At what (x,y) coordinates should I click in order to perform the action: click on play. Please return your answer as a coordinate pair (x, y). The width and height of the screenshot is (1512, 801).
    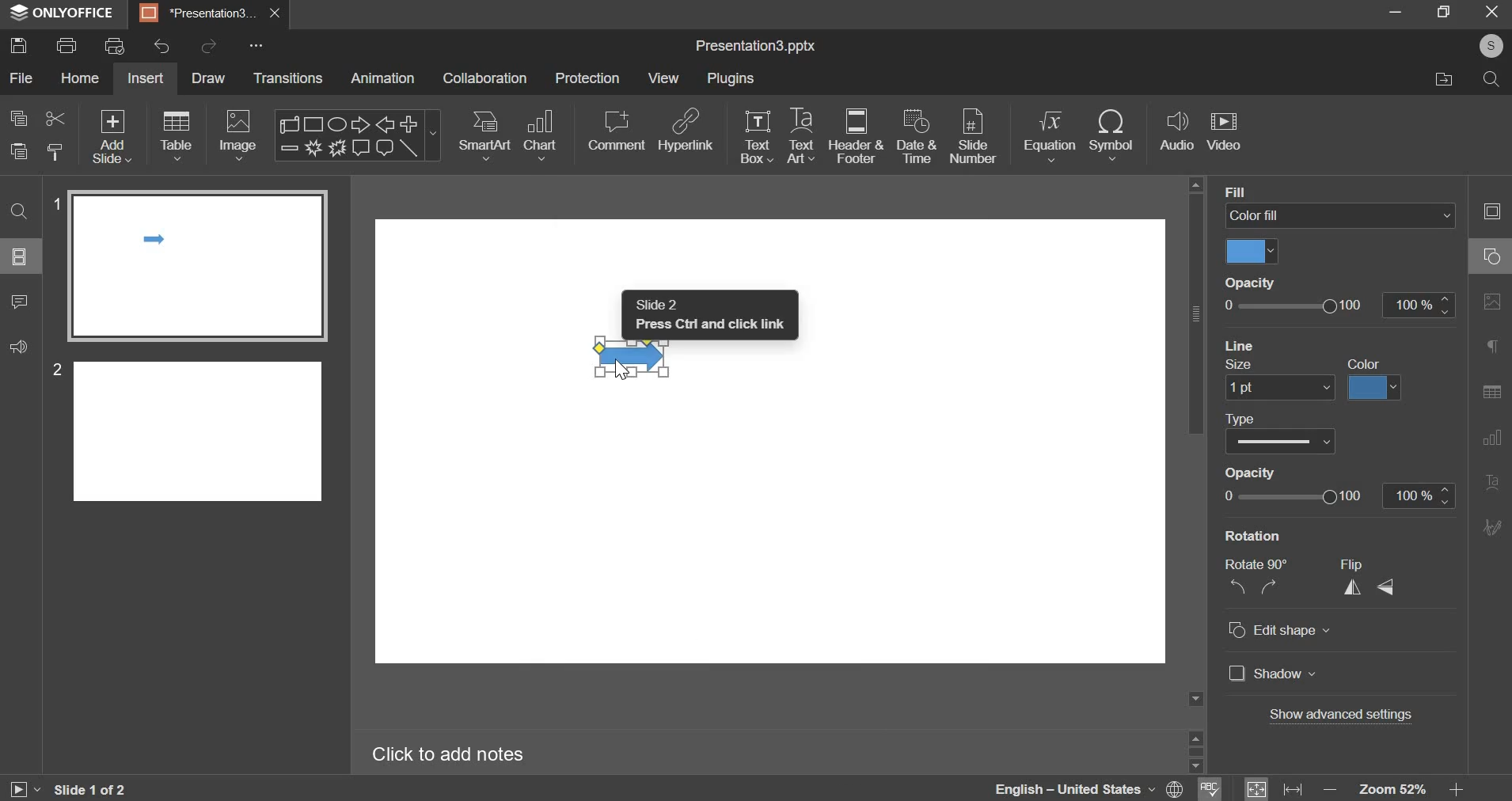
    Looking at the image, I should click on (24, 790).